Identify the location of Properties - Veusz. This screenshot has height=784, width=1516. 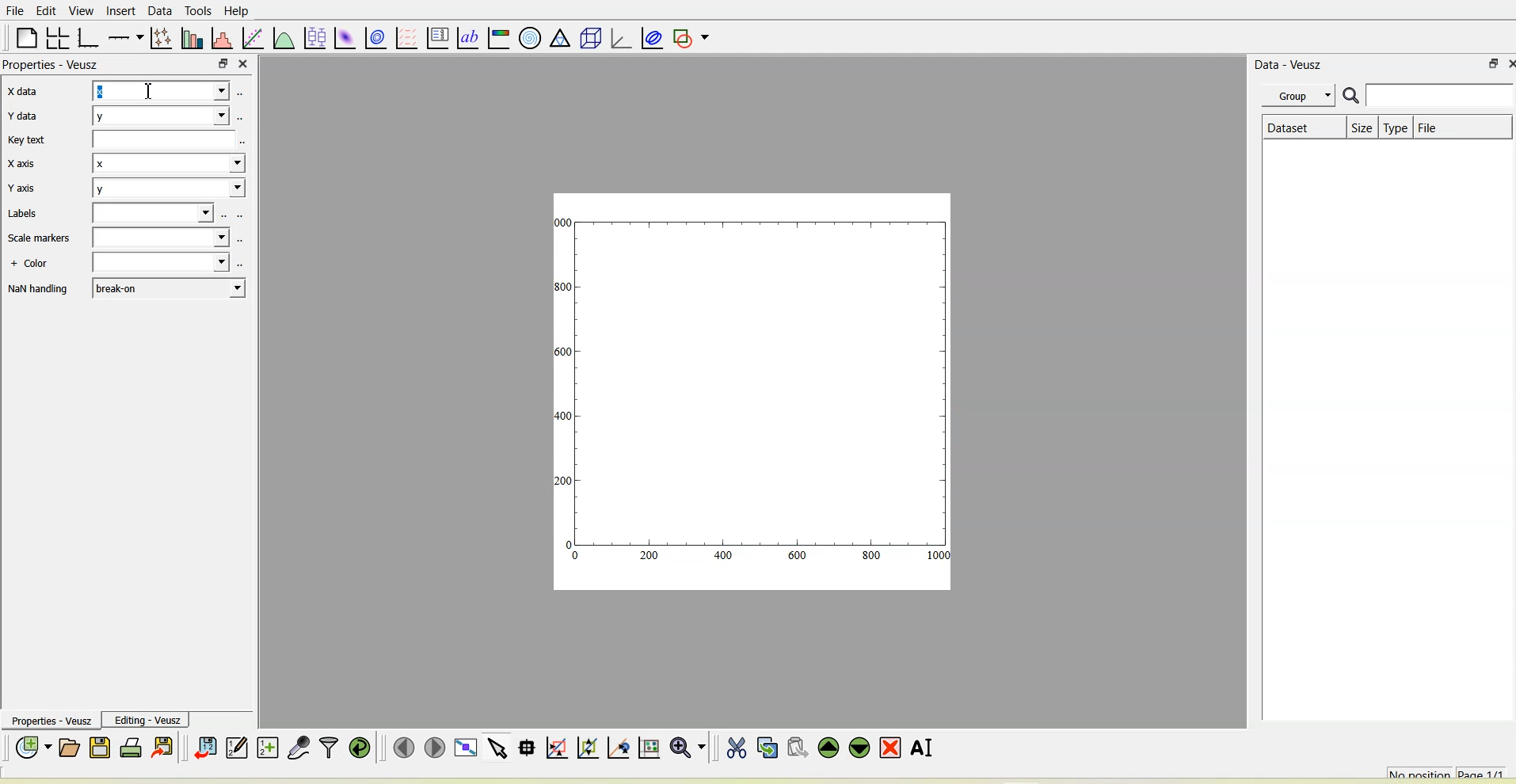
(53, 66).